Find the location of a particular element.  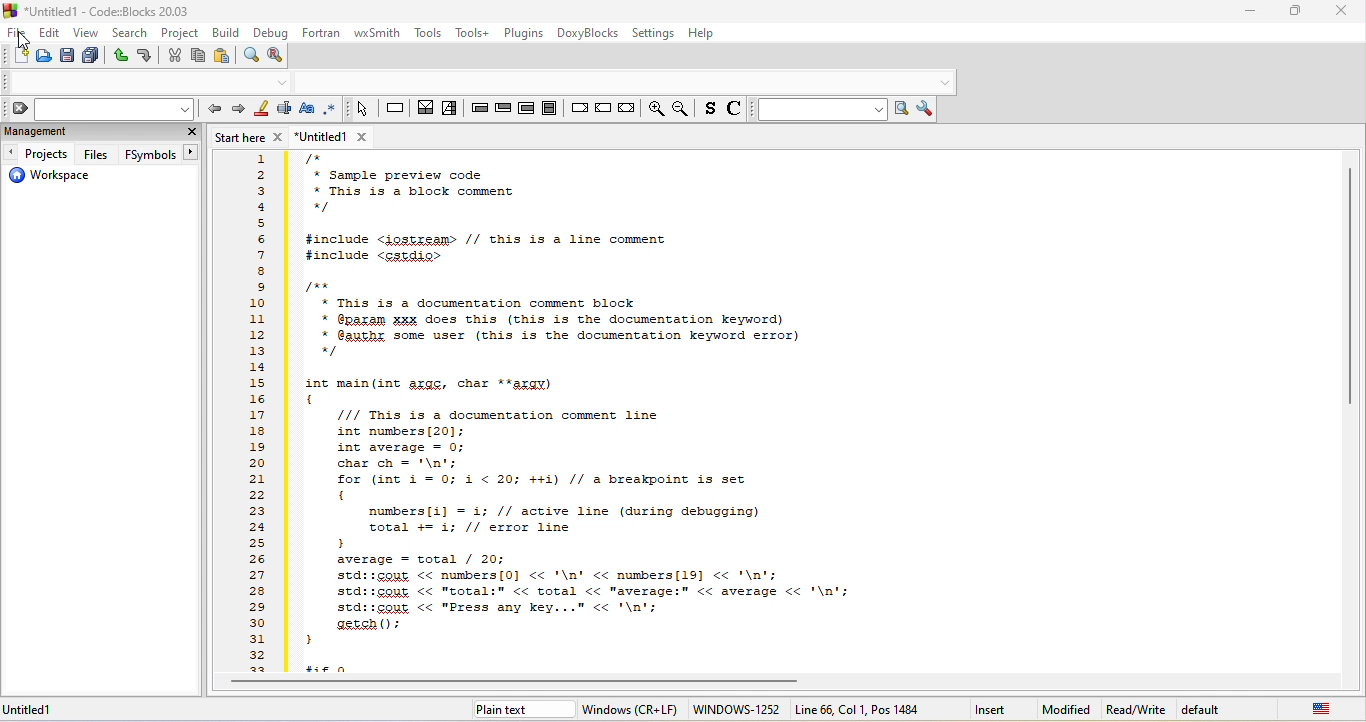

edit is located at coordinates (48, 34).